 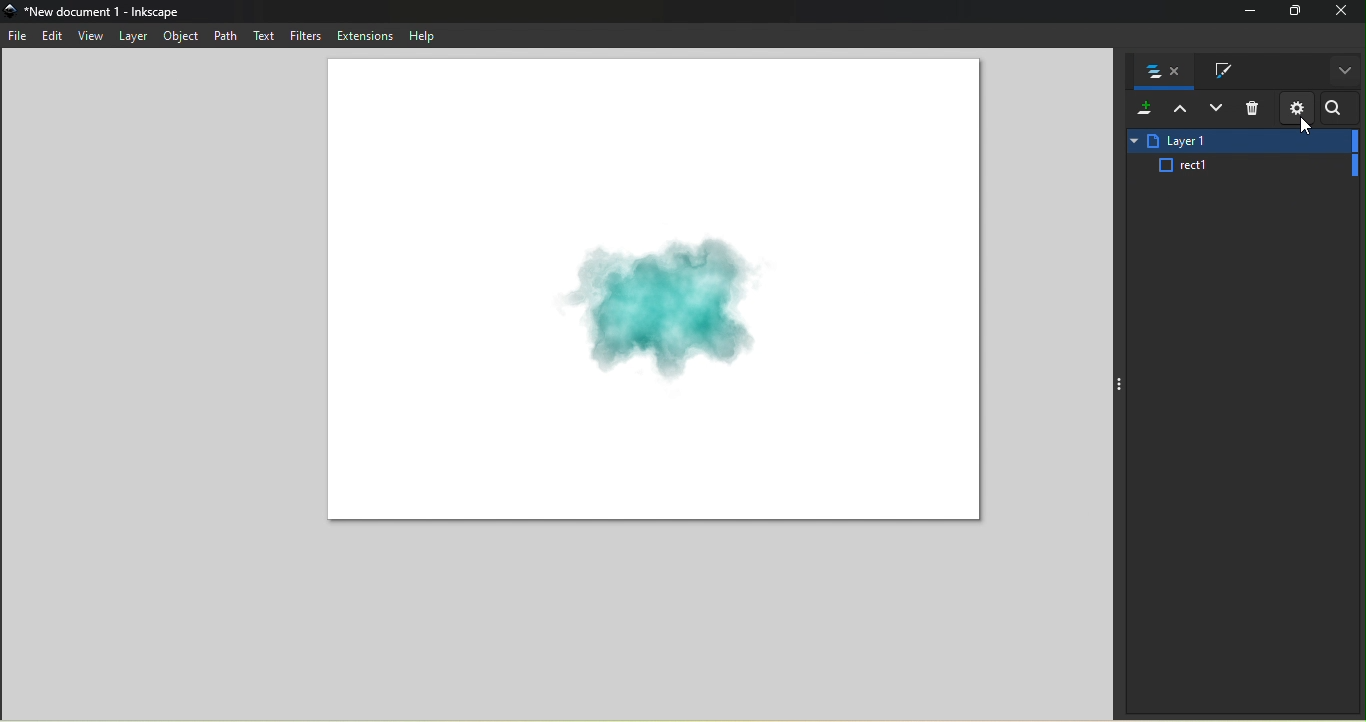 What do you see at coordinates (19, 38) in the screenshot?
I see `File` at bounding box center [19, 38].